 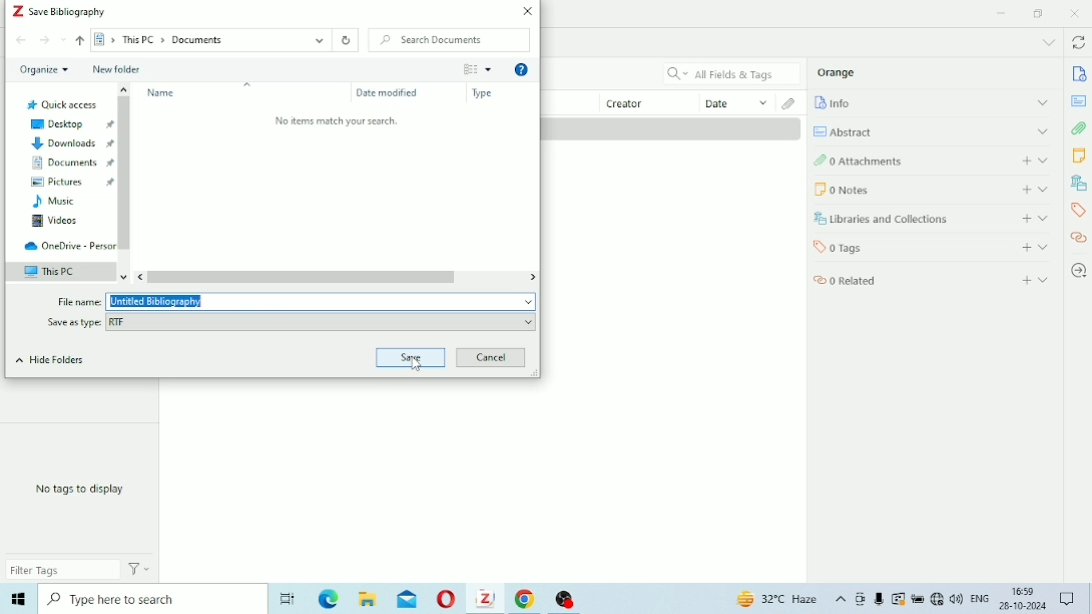 I want to click on Close, so click(x=528, y=11).